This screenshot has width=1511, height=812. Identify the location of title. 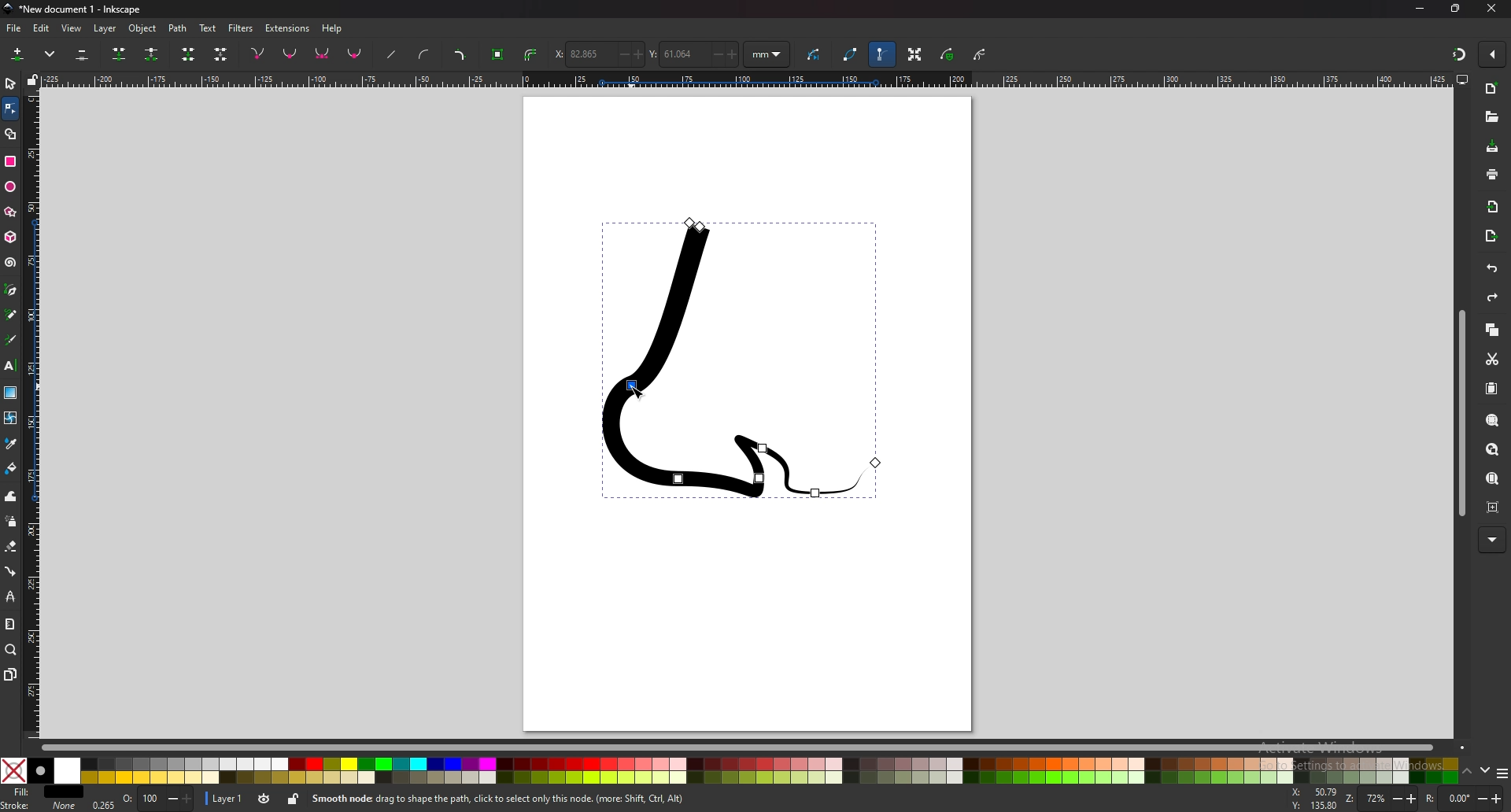
(86, 9).